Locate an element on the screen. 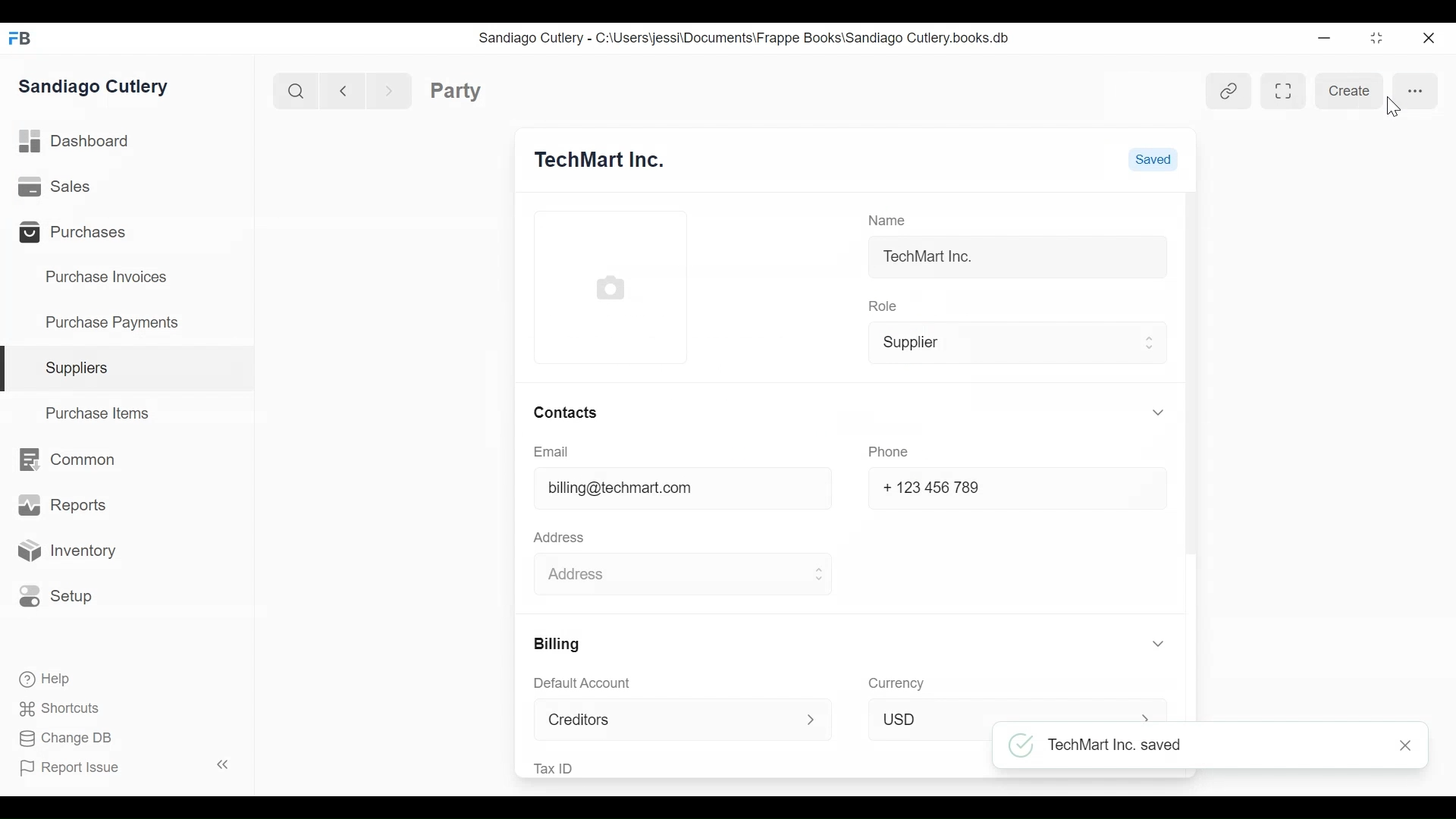 The image size is (1456, 819). next is located at coordinates (391, 89).